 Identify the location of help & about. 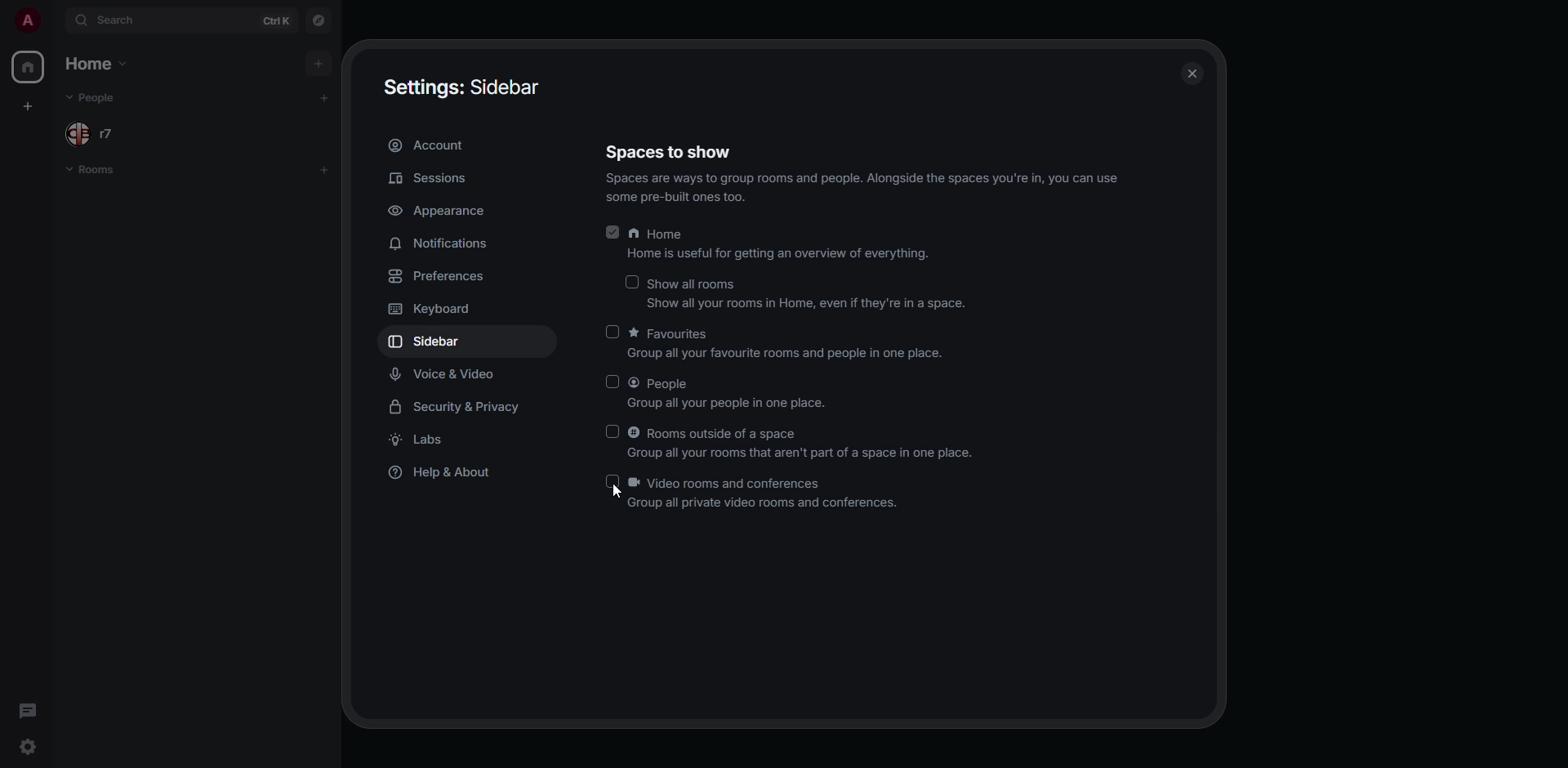
(442, 473).